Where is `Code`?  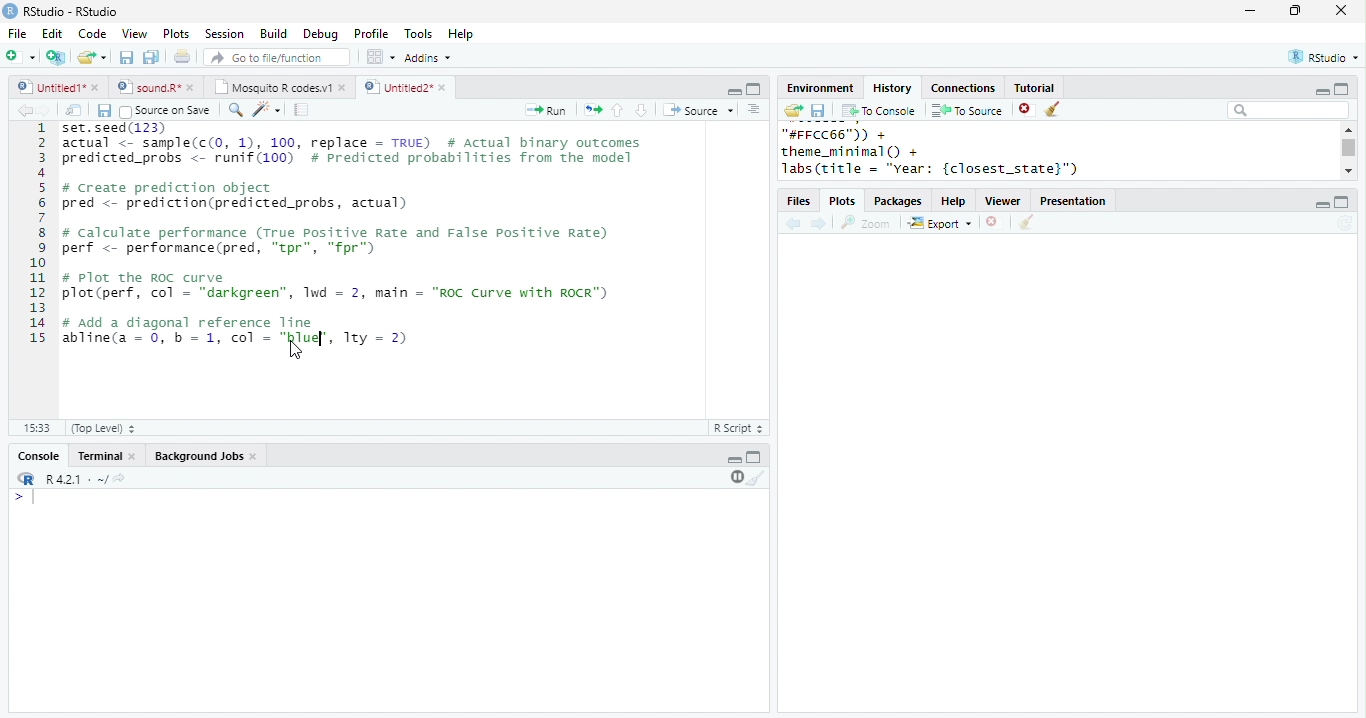
Code is located at coordinates (92, 33).